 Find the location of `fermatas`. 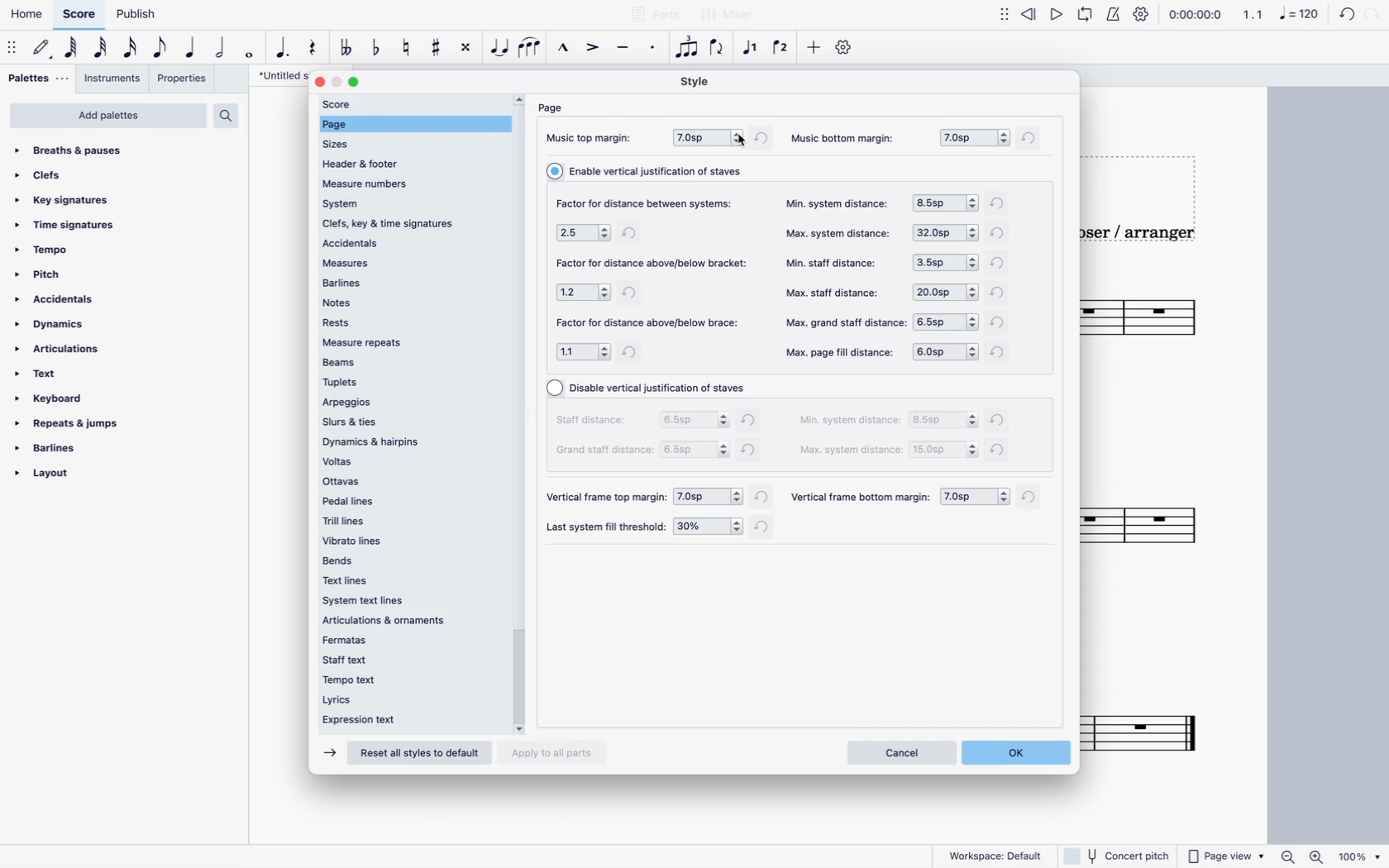

fermatas is located at coordinates (399, 640).